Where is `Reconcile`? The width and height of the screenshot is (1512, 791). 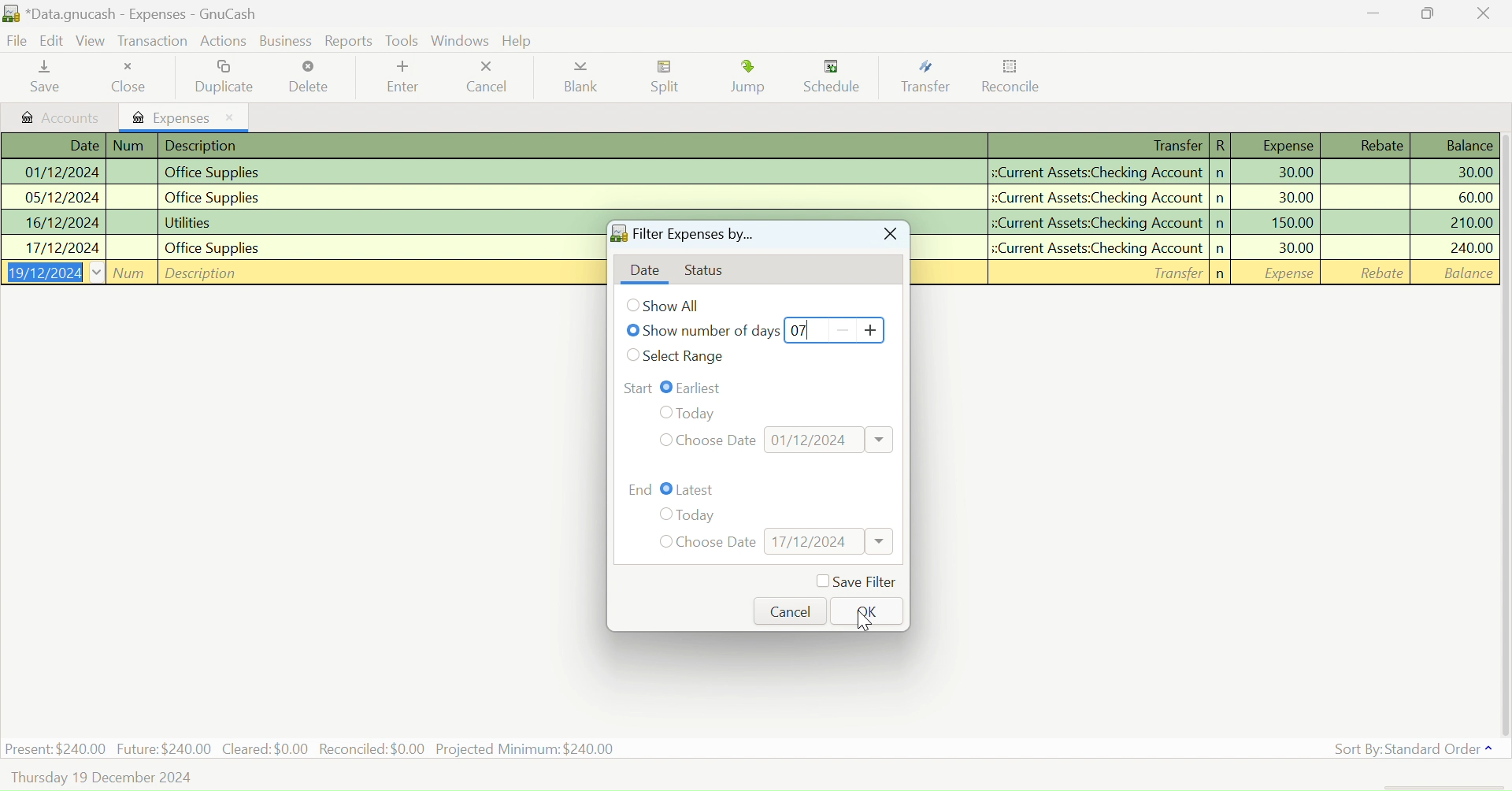
Reconcile is located at coordinates (1012, 80).